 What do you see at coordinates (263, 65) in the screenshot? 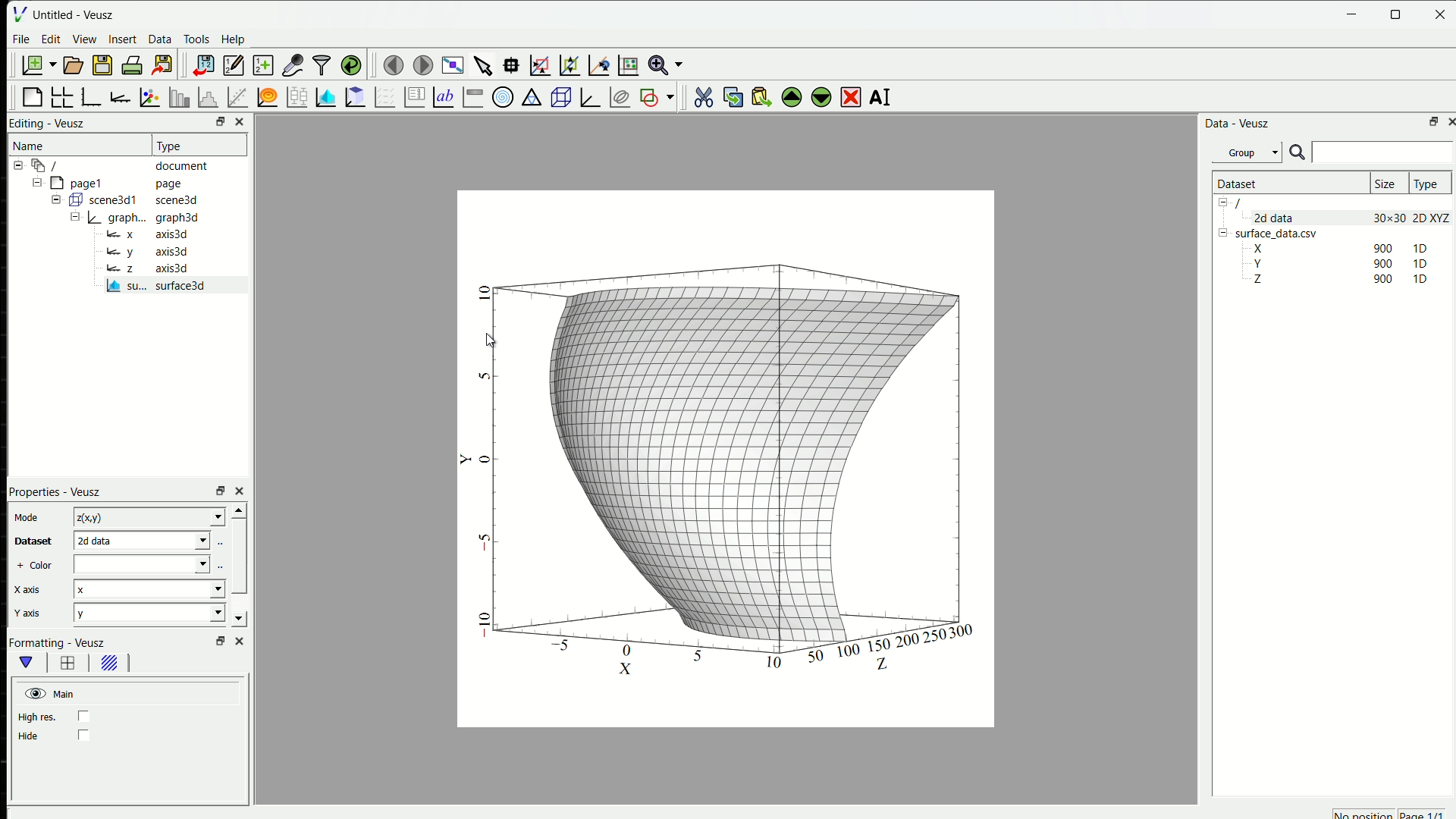
I see `create new data sets` at bounding box center [263, 65].